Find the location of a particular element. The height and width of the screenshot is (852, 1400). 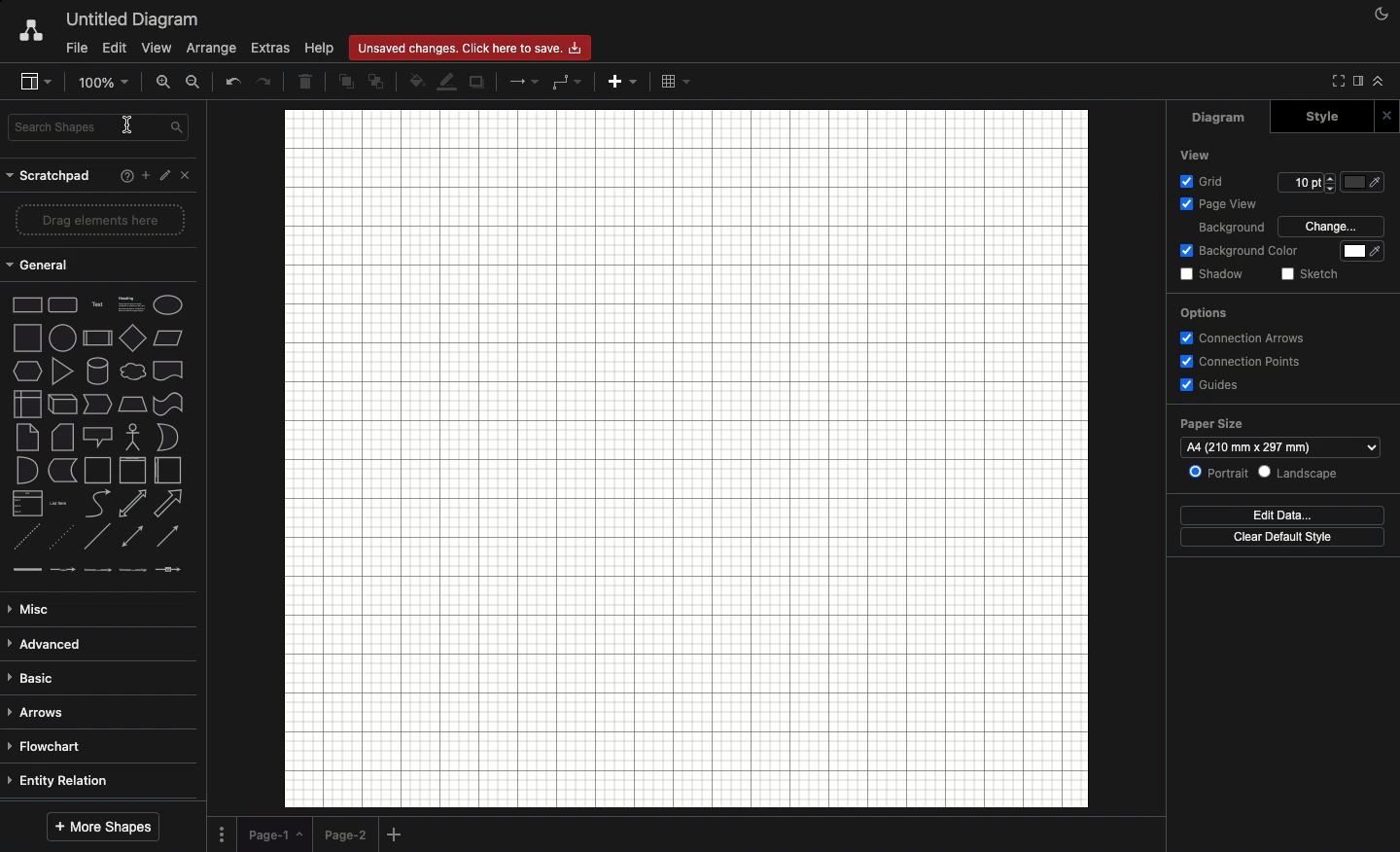

General is located at coordinates (43, 266).